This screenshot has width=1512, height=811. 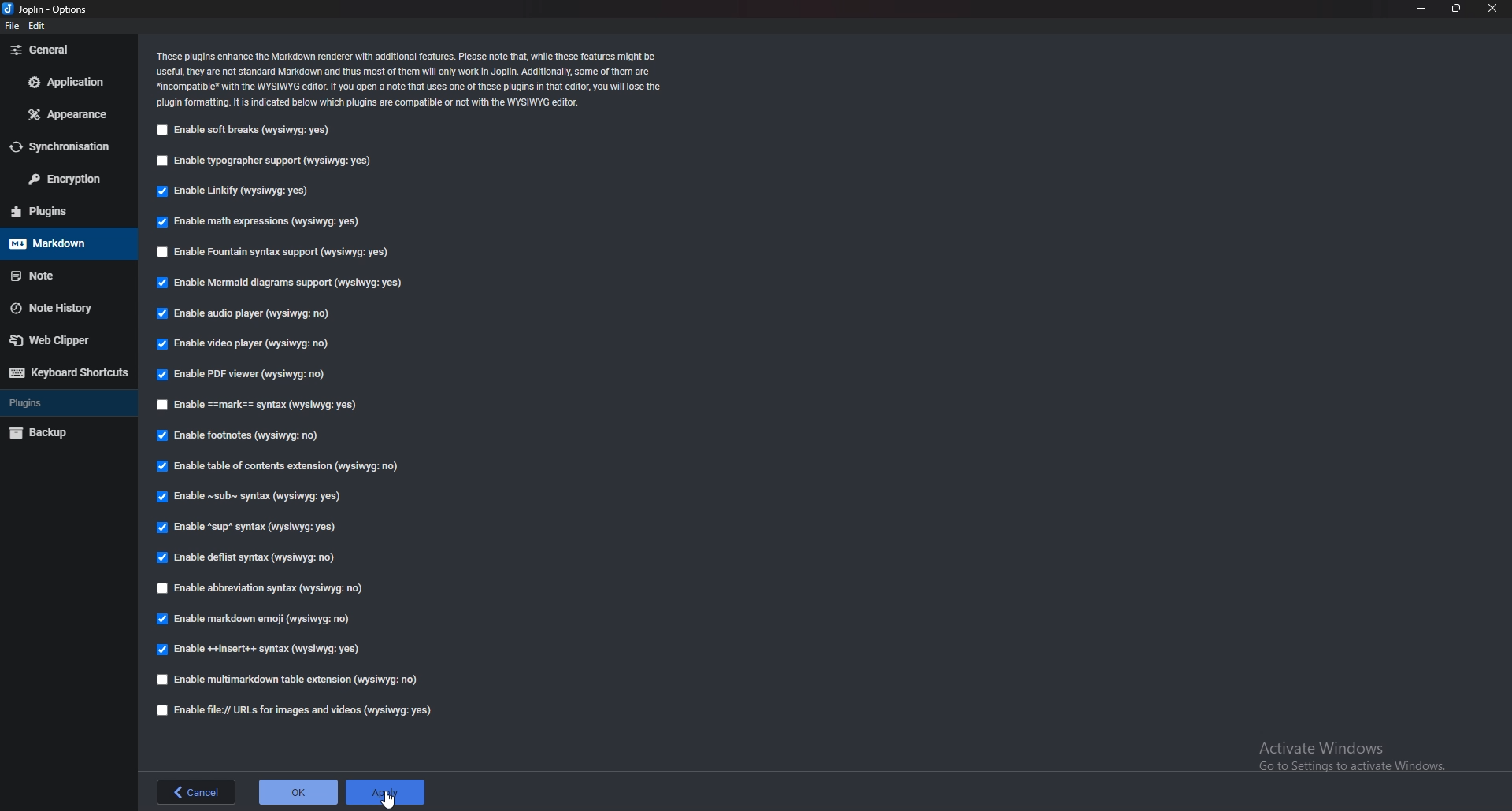 What do you see at coordinates (248, 345) in the screenshot?
I see `Enable video player` at bounding box center [248, 345].